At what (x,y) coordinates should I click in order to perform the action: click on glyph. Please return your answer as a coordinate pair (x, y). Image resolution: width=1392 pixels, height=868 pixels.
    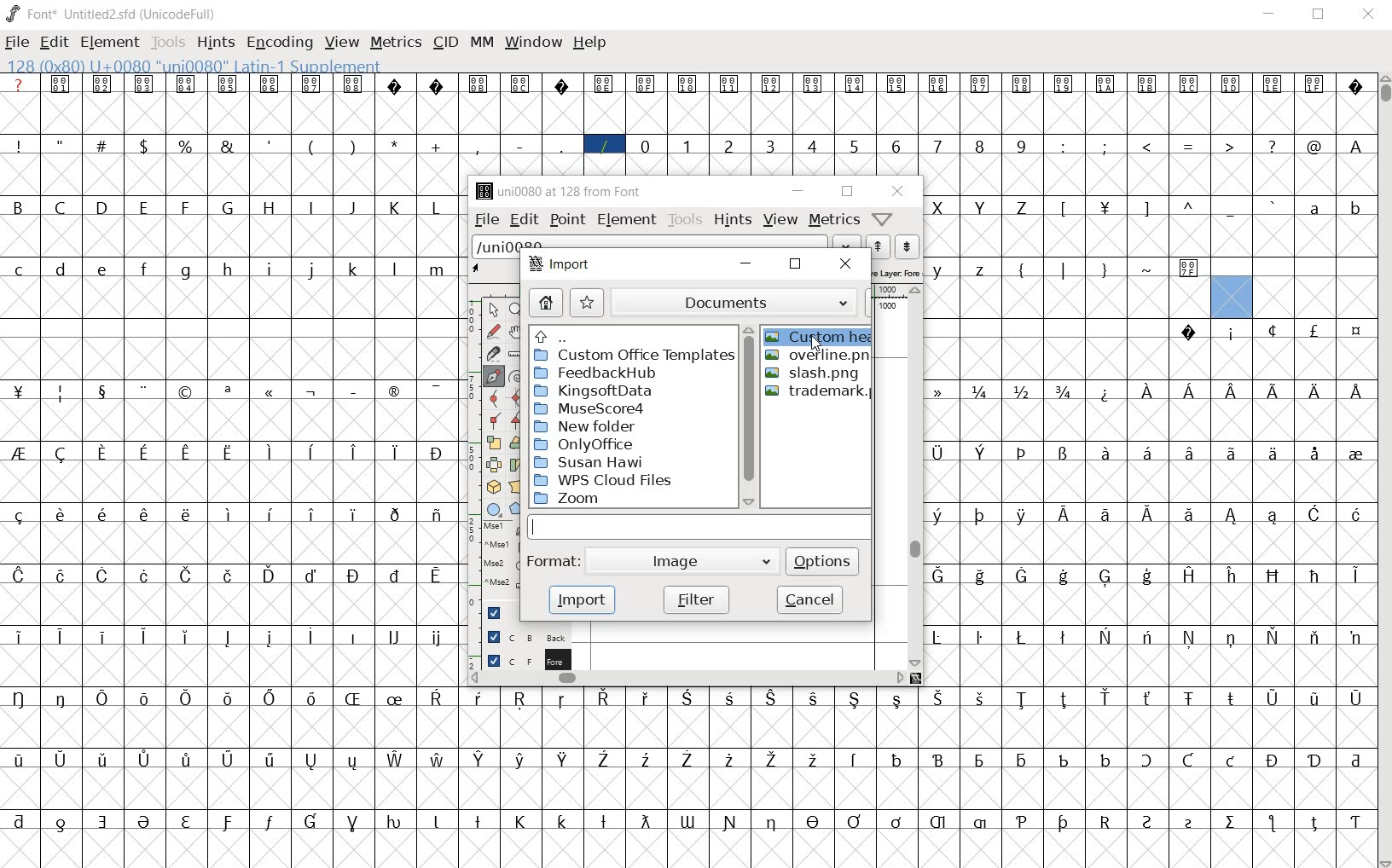
    Looking at the image, I should click on (1355, 639).